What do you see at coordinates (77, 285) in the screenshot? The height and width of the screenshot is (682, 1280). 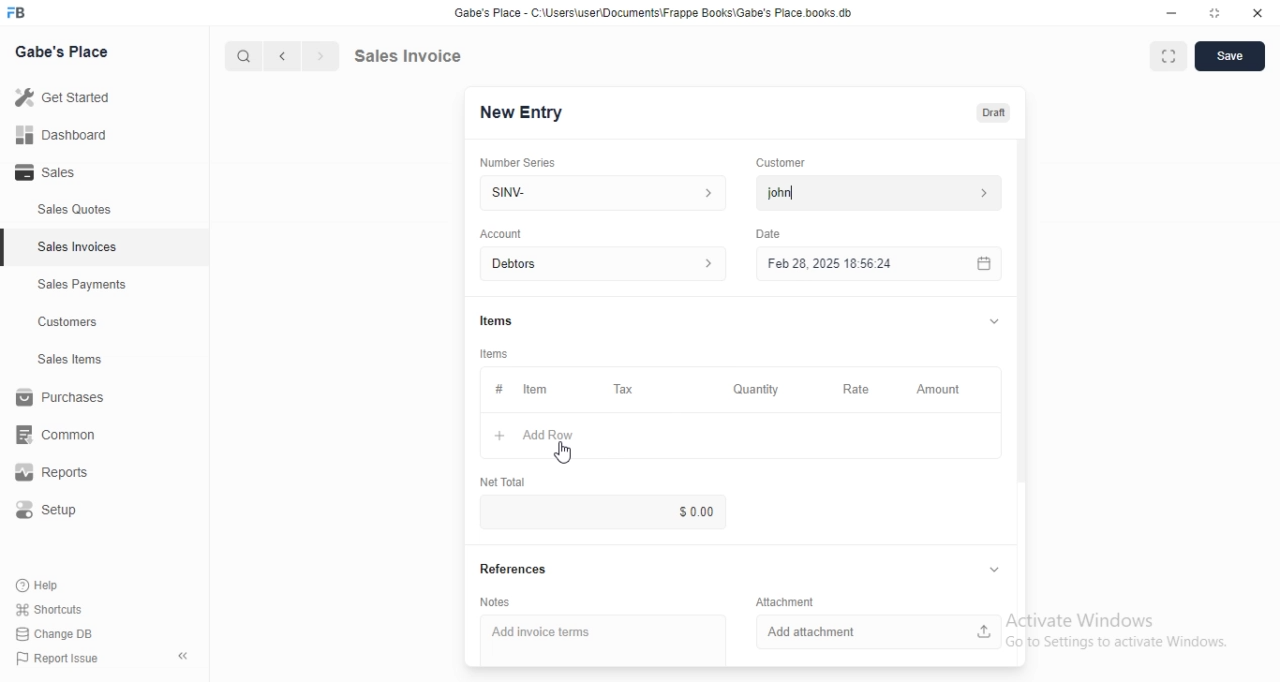 I see `Sales Payments` at bounding box center [77, 285].